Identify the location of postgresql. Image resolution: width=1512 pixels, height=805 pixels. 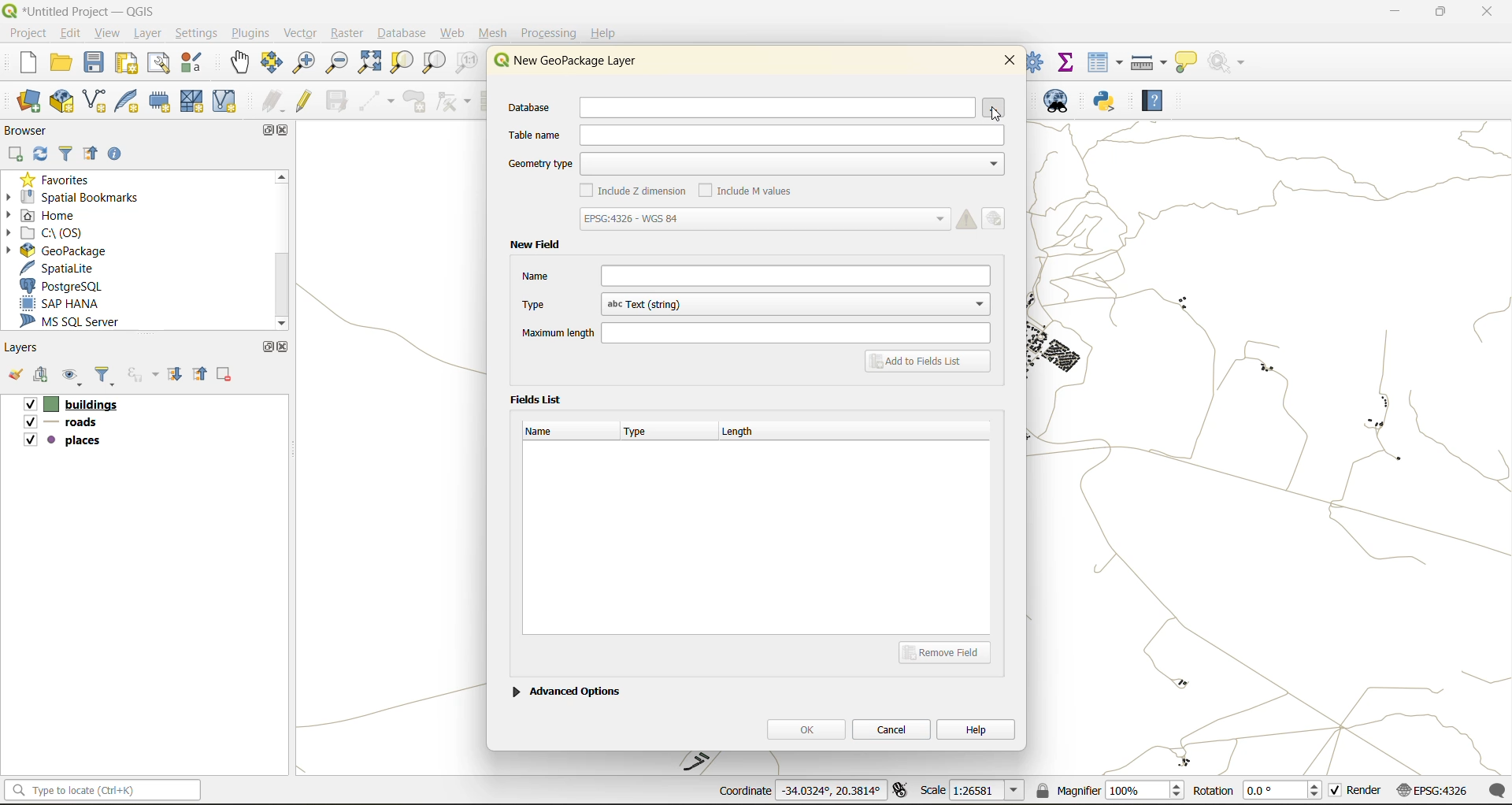
(73, 286).